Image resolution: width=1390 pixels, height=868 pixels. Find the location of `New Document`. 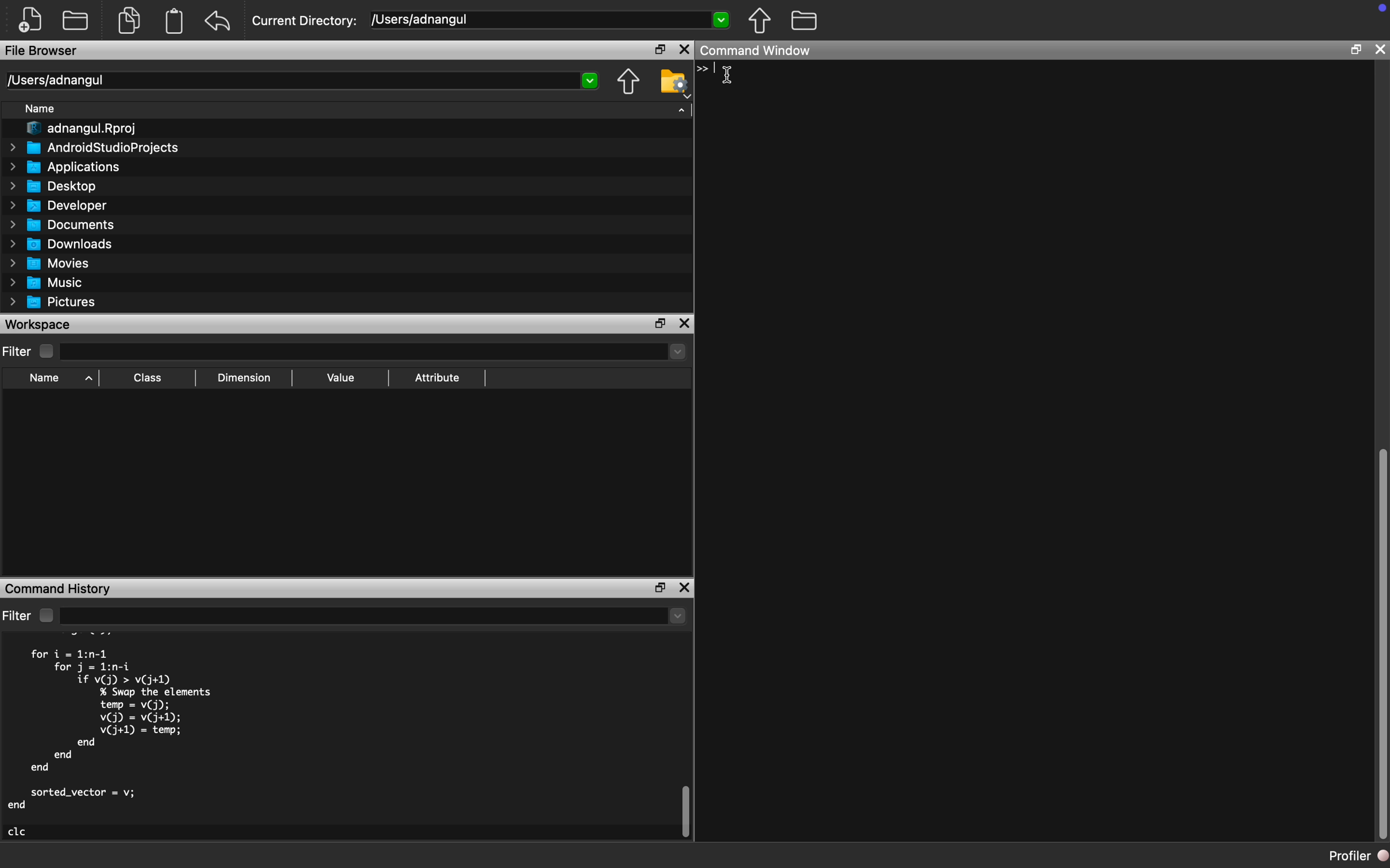

New Document is located at coordinates (30, 20).